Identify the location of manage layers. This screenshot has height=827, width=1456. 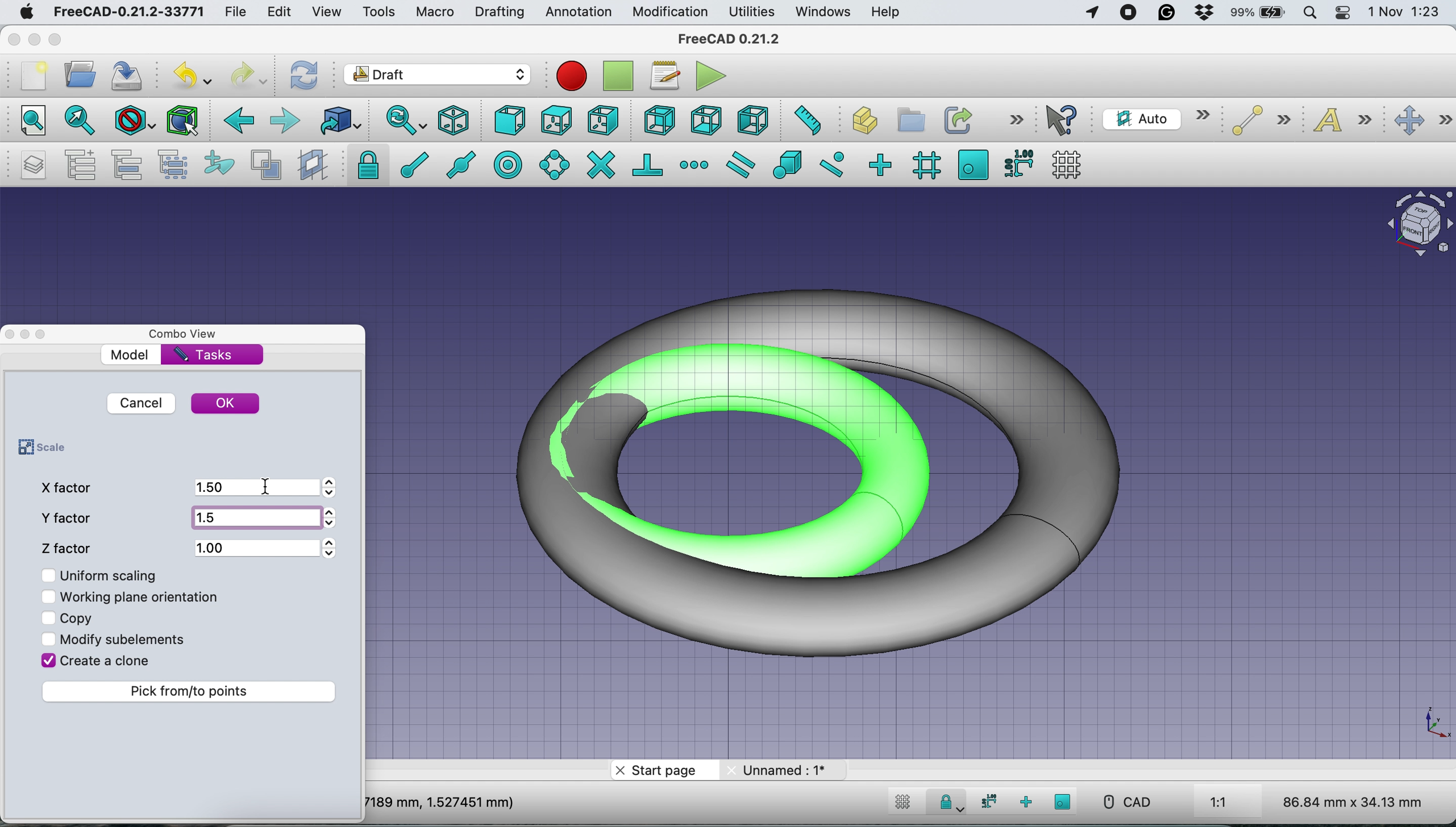
(36, 165).